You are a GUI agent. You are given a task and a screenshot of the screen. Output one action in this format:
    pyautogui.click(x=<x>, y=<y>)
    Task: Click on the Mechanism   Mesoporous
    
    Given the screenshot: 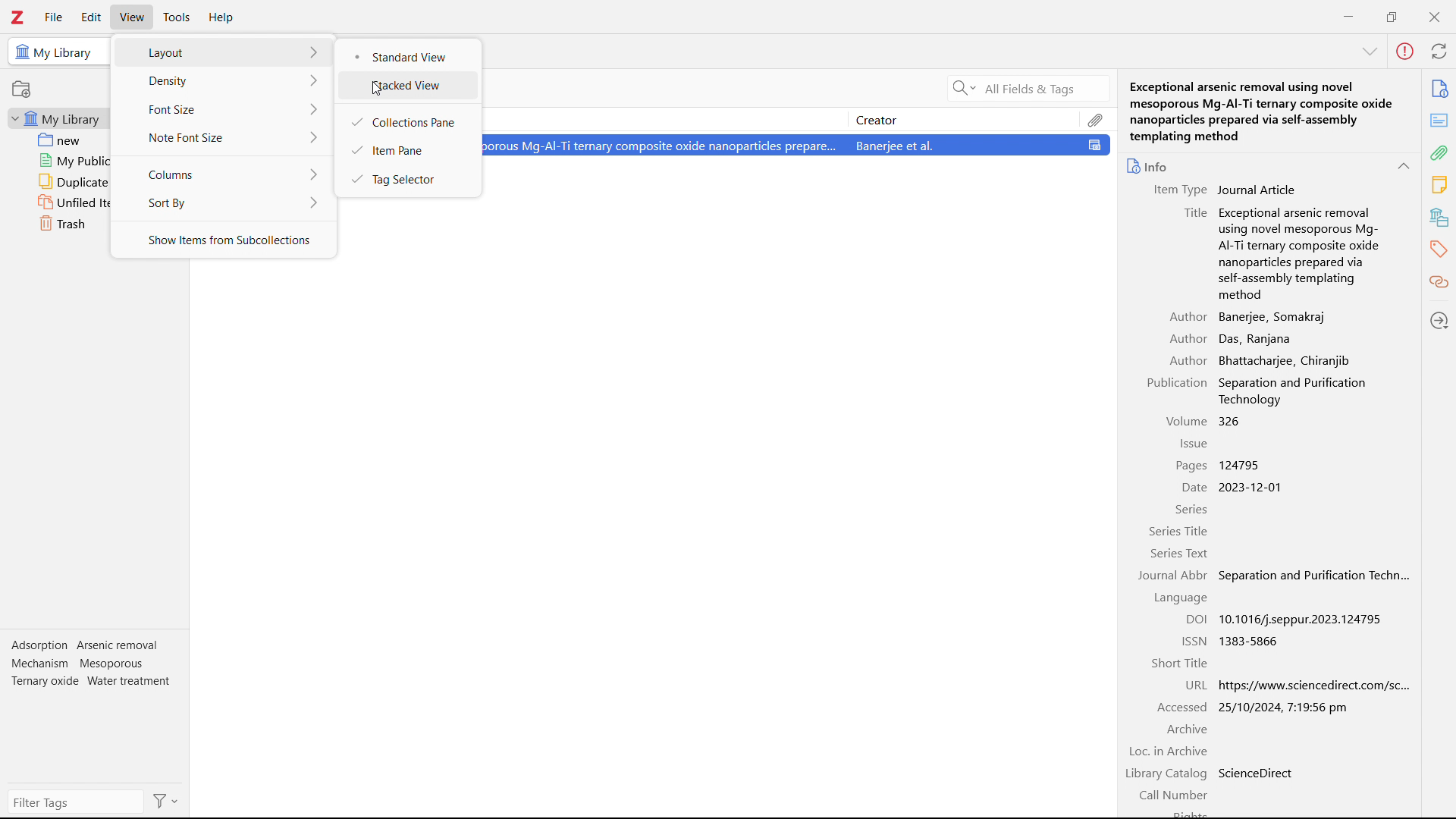 What is the action you would take?
    pyautogui.click(x=79, y=663)
    